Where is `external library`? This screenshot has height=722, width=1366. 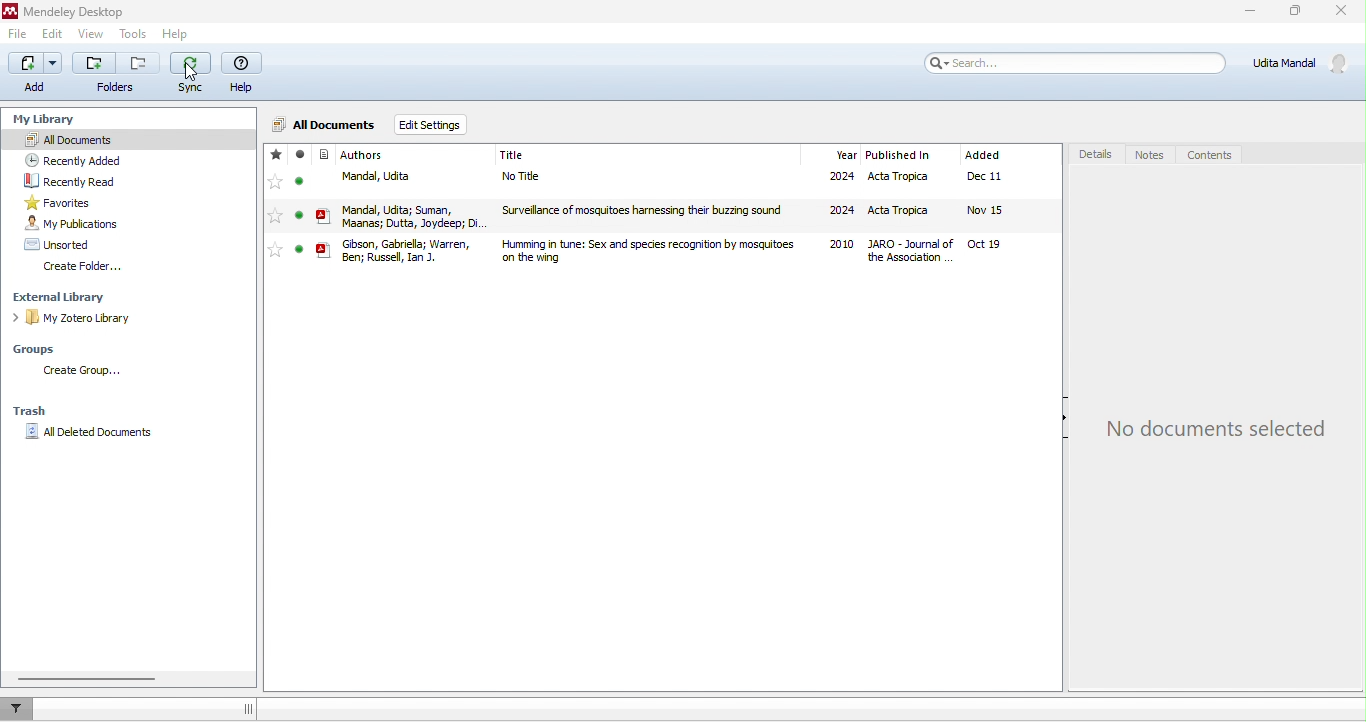 external library is located at coordinates (66, 297).